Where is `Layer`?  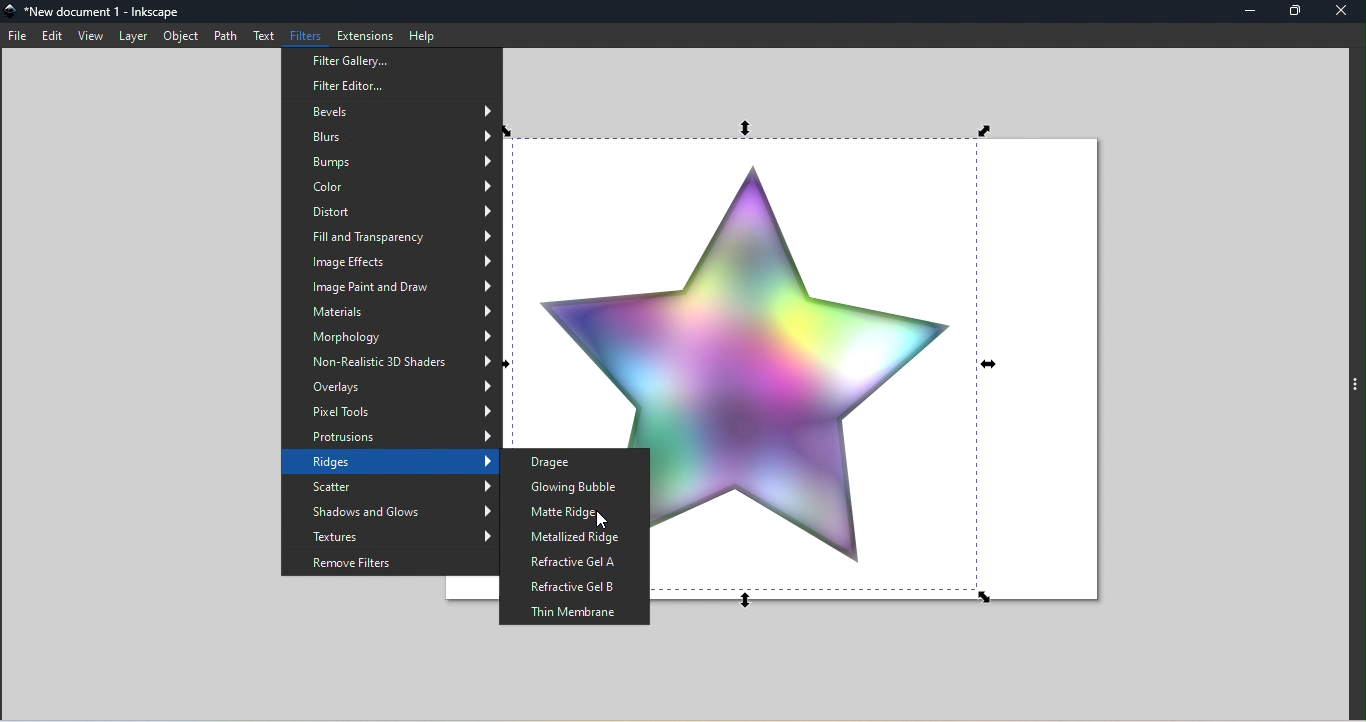 Layer is located at coordinates (132, 37).